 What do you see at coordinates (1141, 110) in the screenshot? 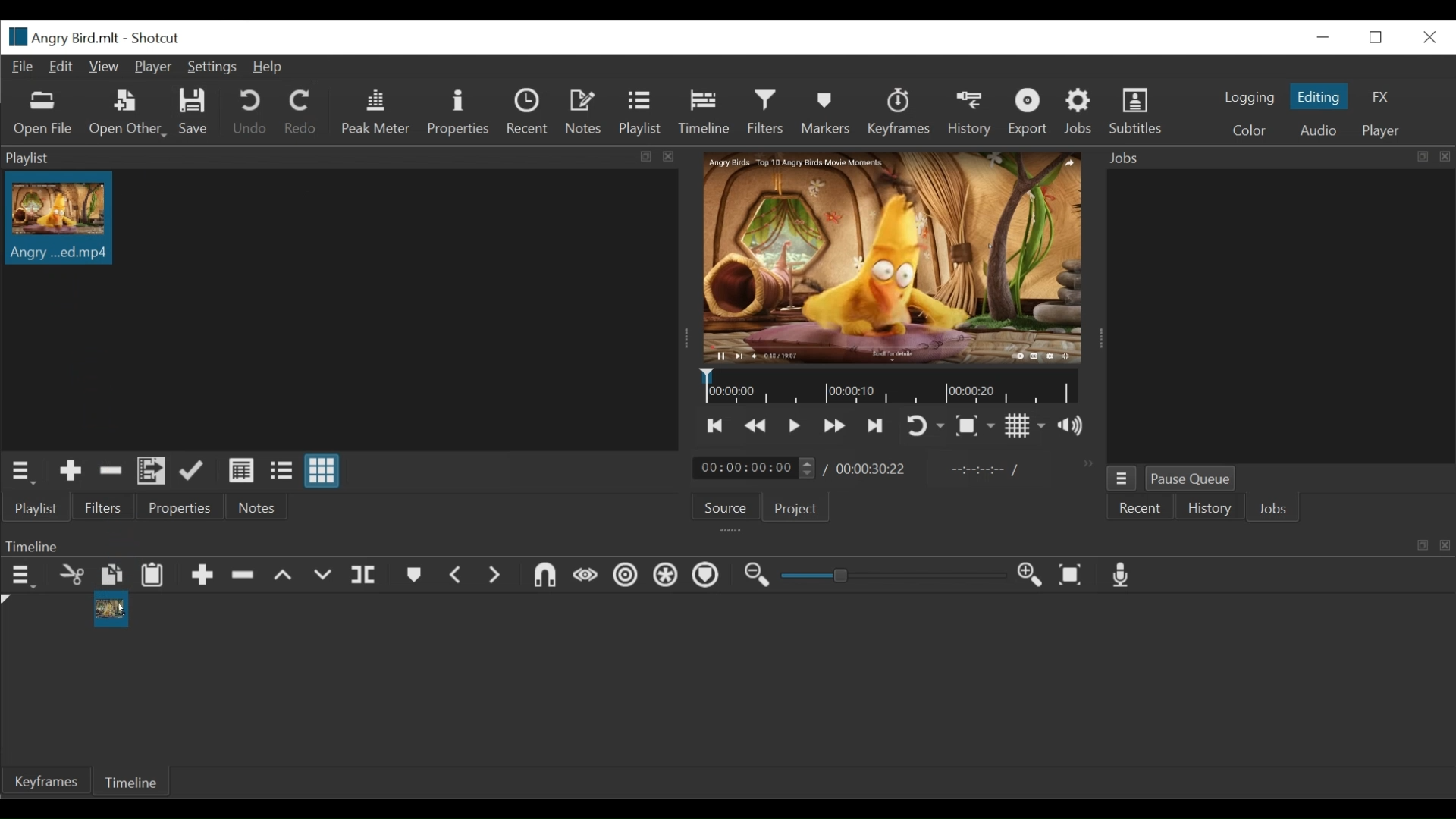
I see `Subtitles` at bounding box center [1141, 110].